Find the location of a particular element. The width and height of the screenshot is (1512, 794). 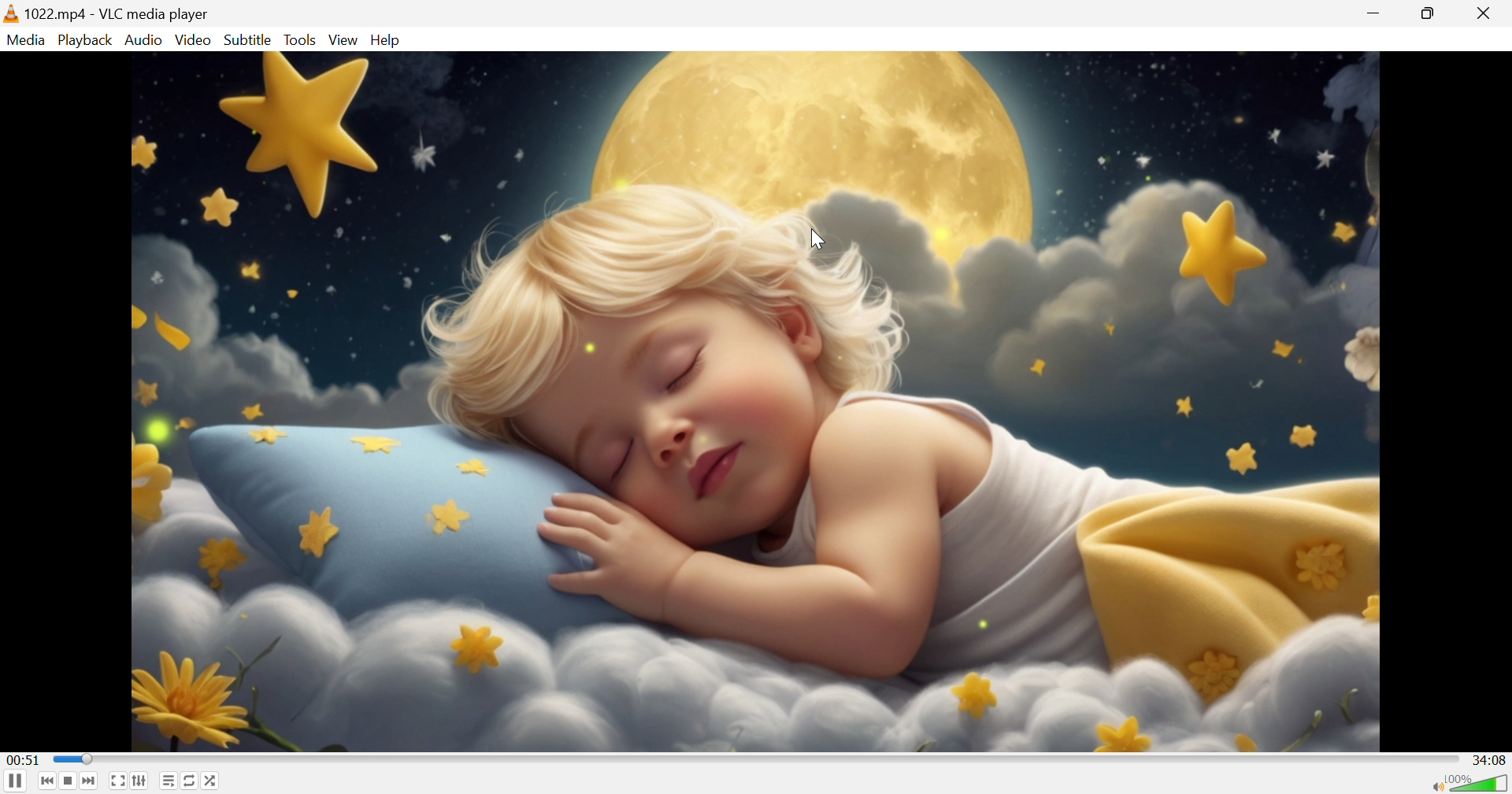

Media is located at coordinates (26, 39).